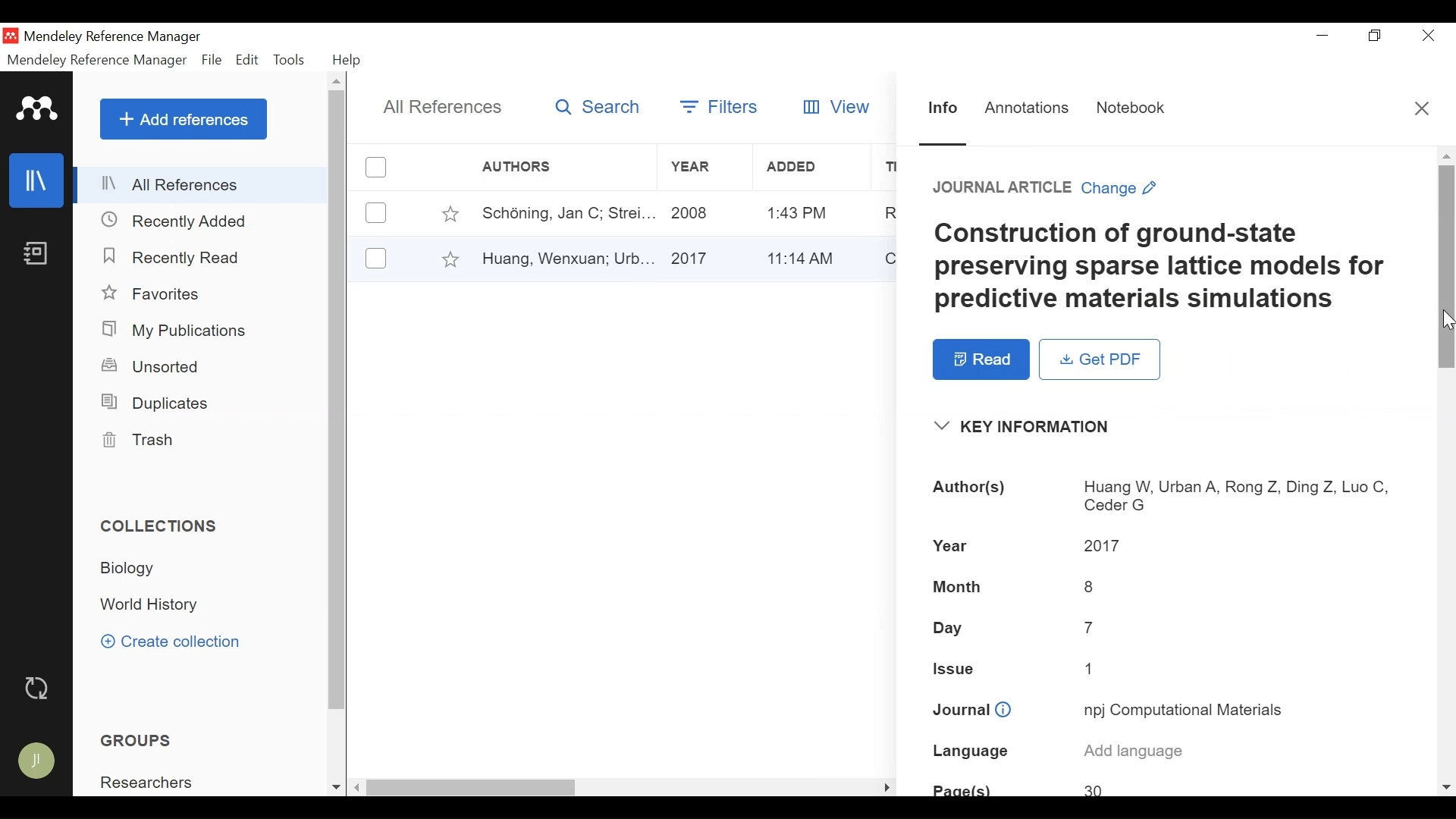 The width and height of the screenshot is (1456, 819). I want to click on Mendeley Desktop Icon, so click(10, 36).